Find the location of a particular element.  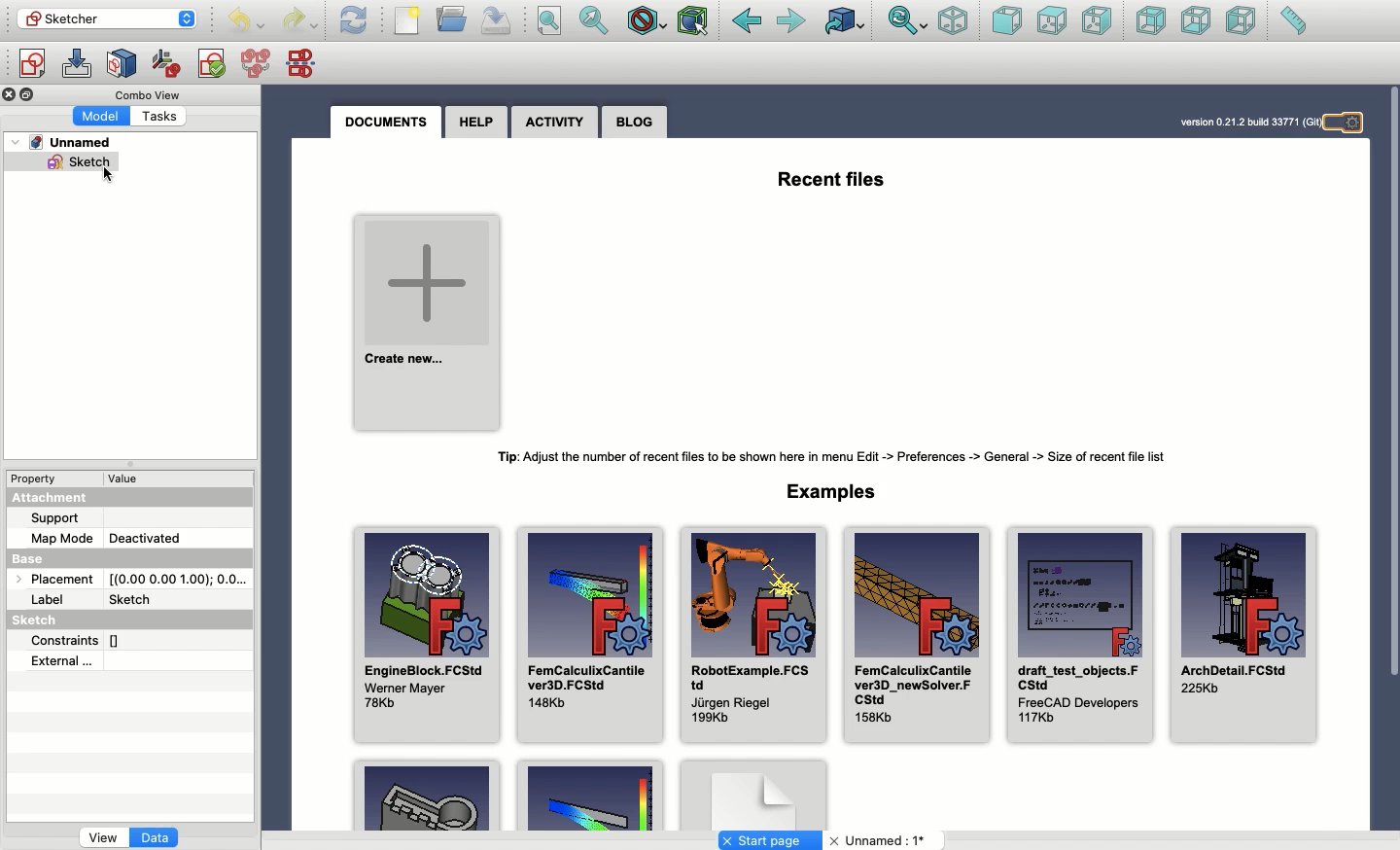

Activity  is located at coordinates (554, 124).